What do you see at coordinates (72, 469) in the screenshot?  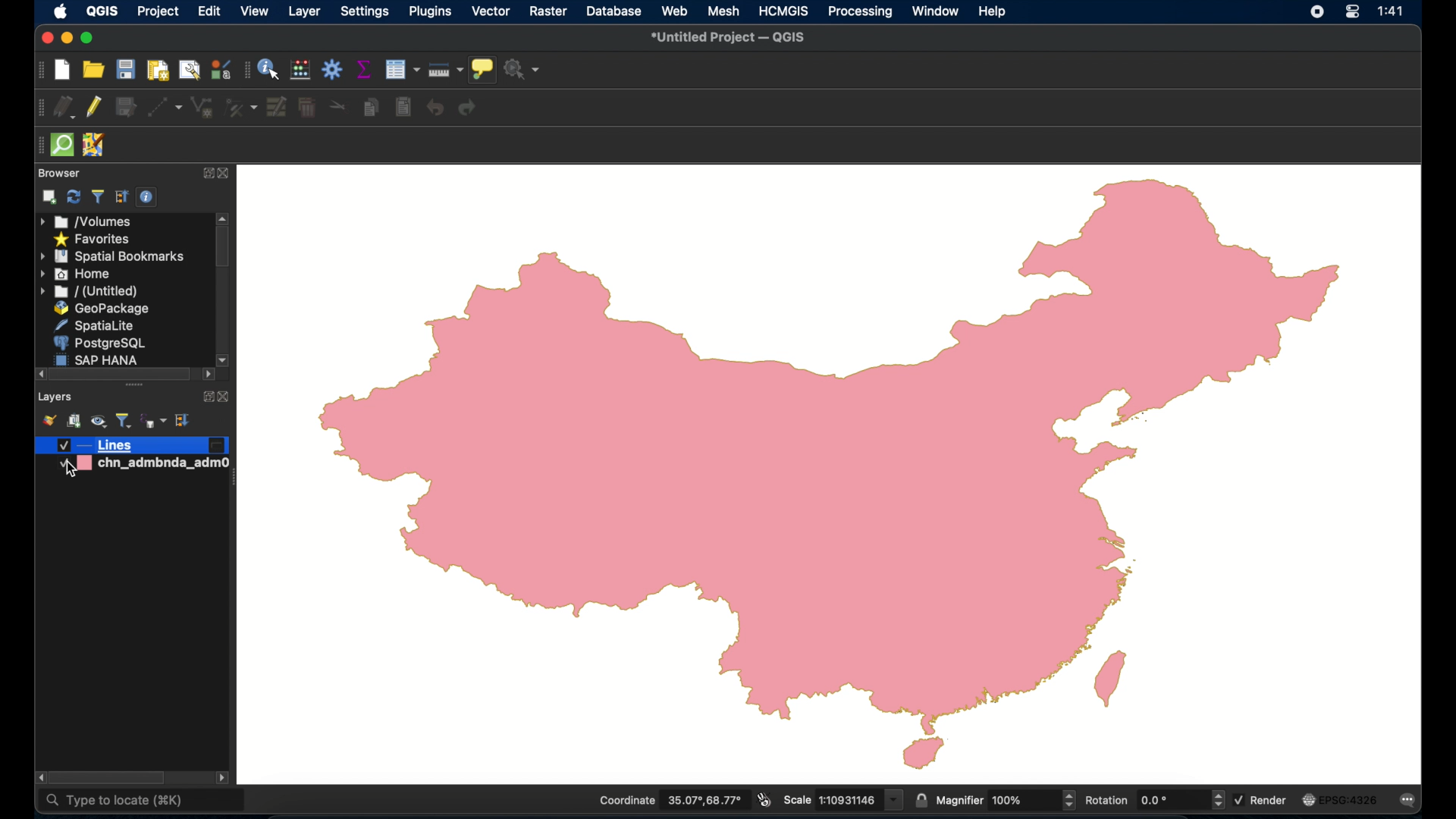 I see `cursor` at bounding box center [72, 469].